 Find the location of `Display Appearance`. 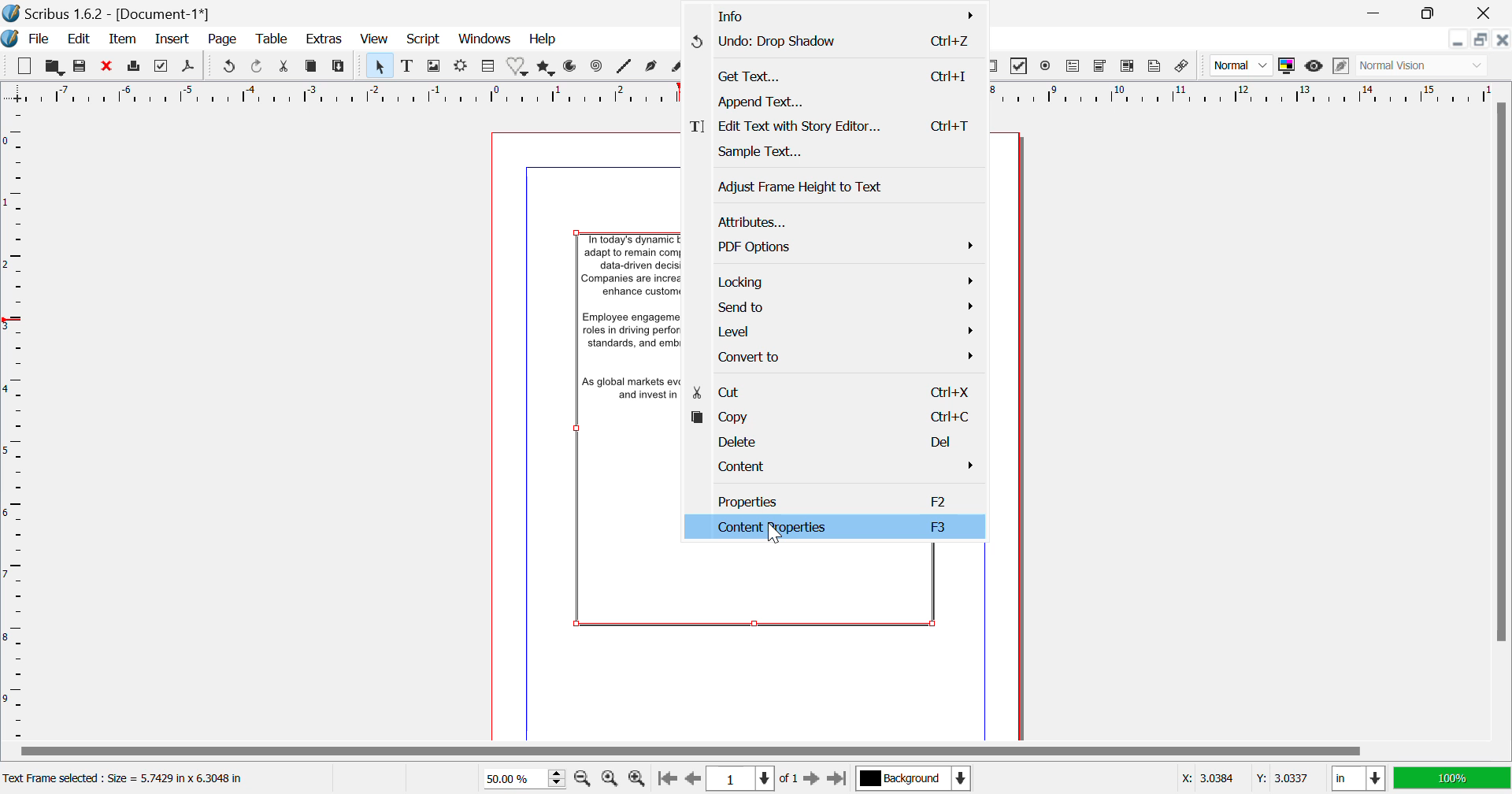

Display Appearance is located at coordinates (1454, 777).